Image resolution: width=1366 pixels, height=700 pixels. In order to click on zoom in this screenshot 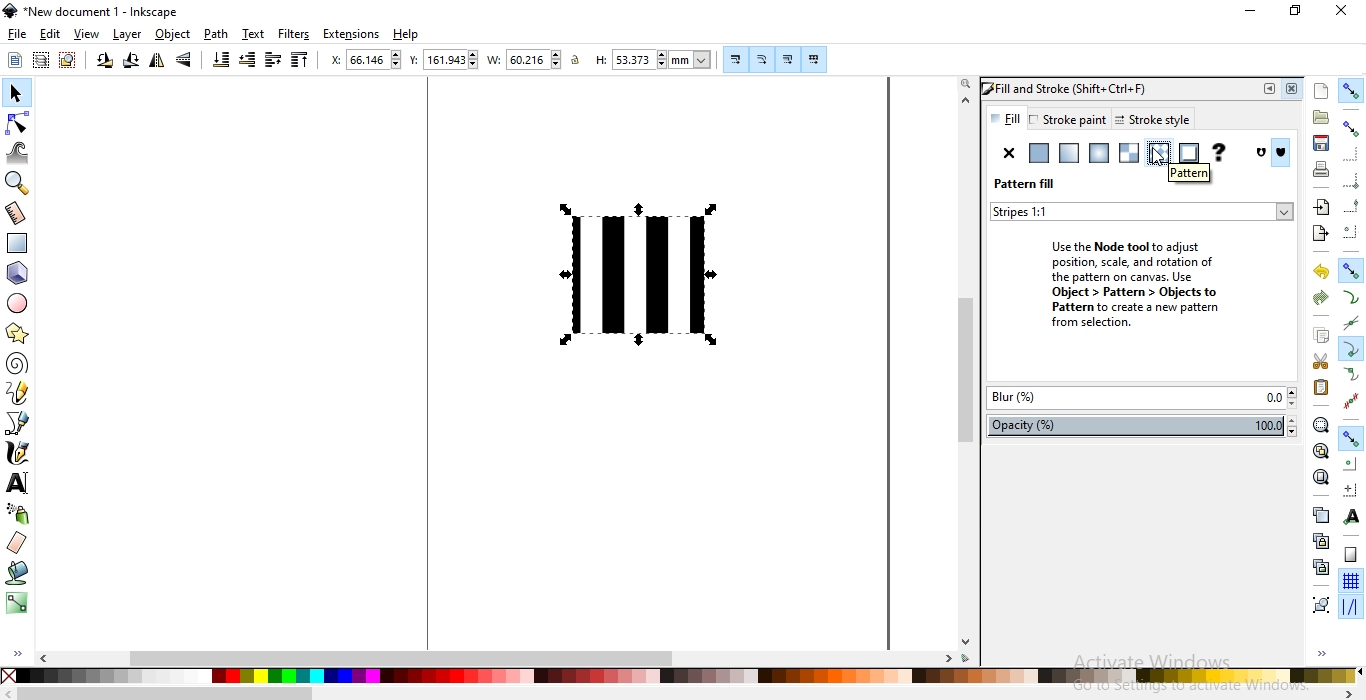, I will do `click(964, 84)`.